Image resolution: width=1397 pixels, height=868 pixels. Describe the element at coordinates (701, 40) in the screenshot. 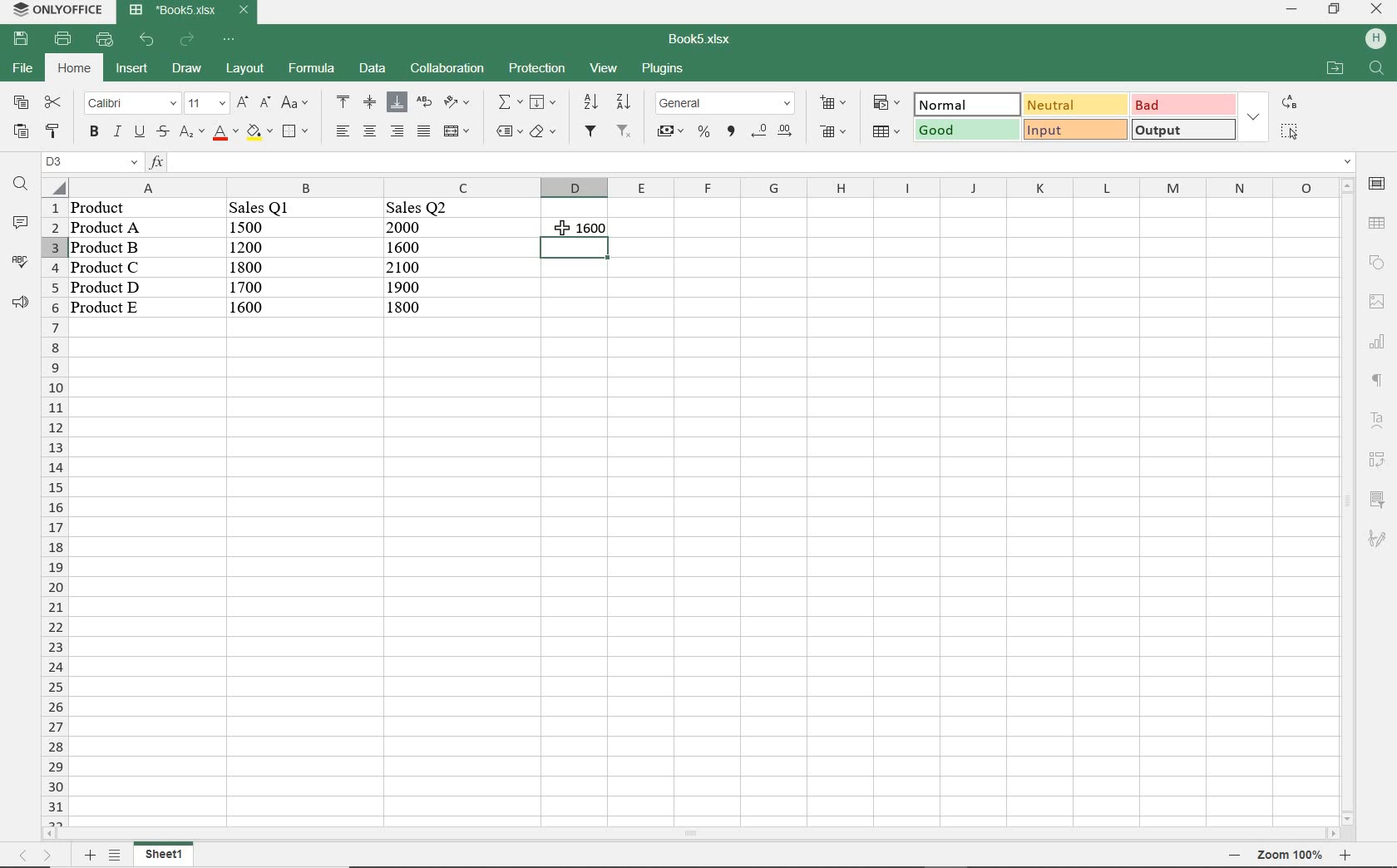

I see `document name` at that location.